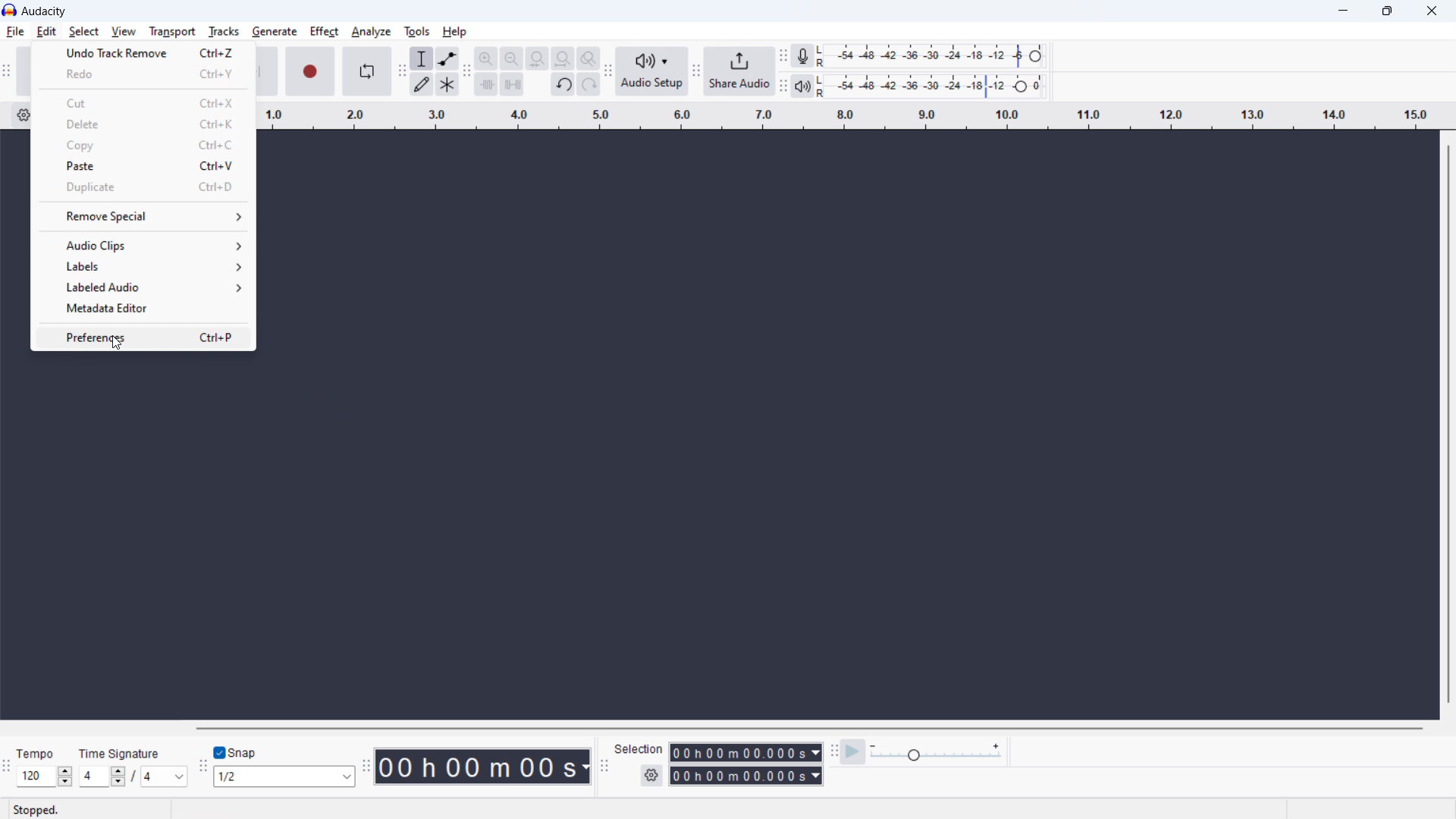 The image size is (1456, 819). What do you see at coordinates (803, 86) in the screenshot?
I see `playback meter` at bounding box center [803, 86].